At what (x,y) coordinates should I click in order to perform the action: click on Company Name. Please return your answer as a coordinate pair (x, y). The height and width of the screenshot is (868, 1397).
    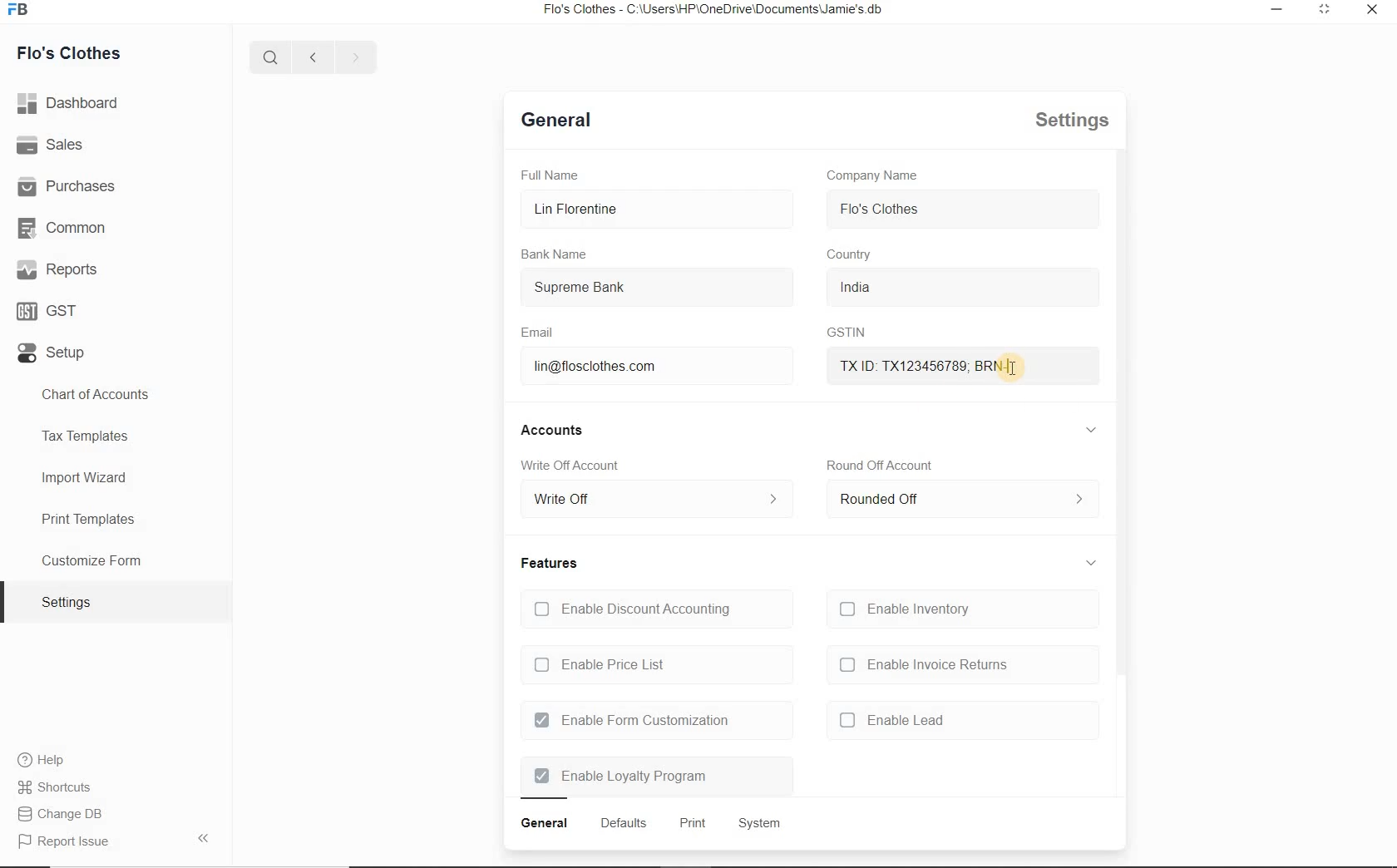
    Looking at the image, I should click on (873, 175).